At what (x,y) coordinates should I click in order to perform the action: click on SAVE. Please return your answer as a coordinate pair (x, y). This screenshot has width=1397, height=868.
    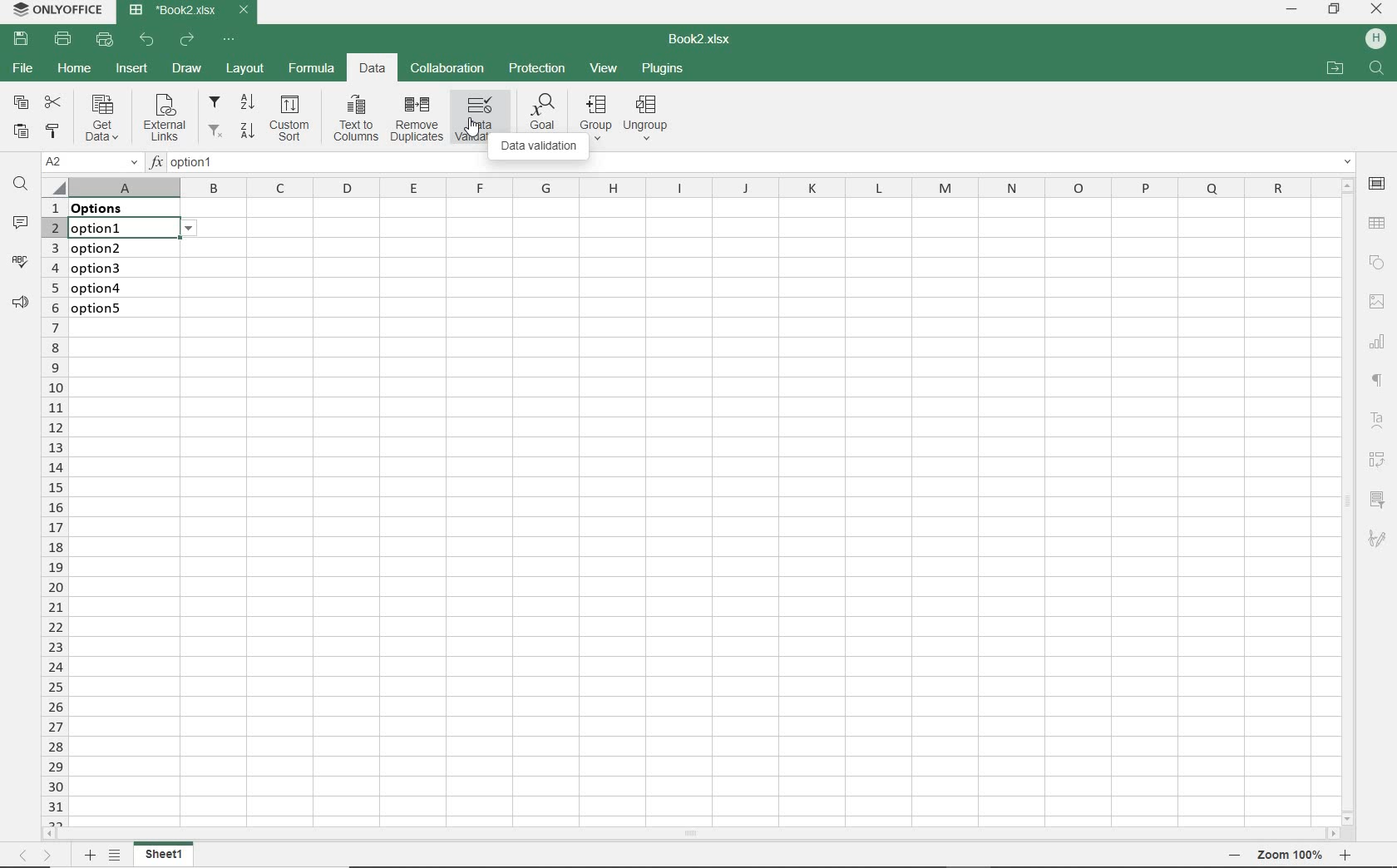
    Looking at the image, I should click on (21, 40).